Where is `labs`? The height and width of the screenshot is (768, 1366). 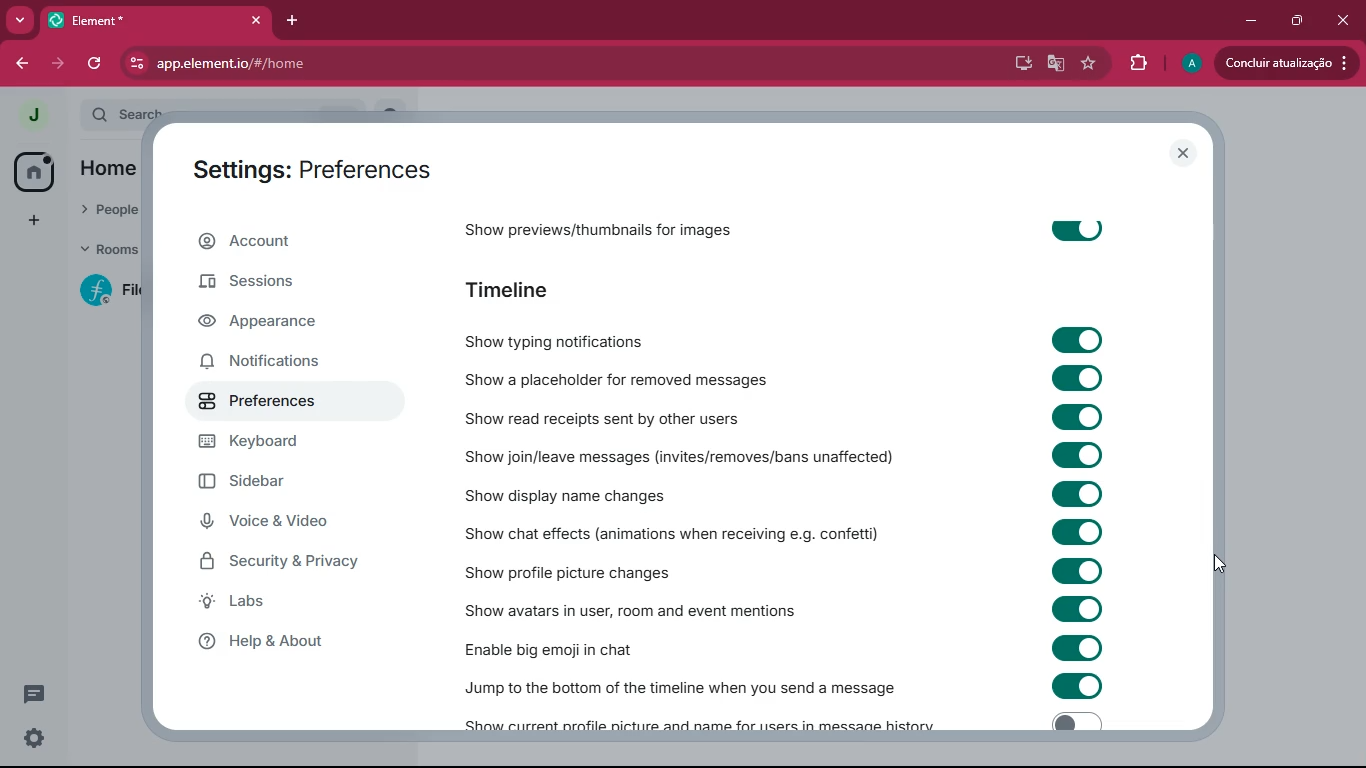 labs is located at coordinates (273, 606).